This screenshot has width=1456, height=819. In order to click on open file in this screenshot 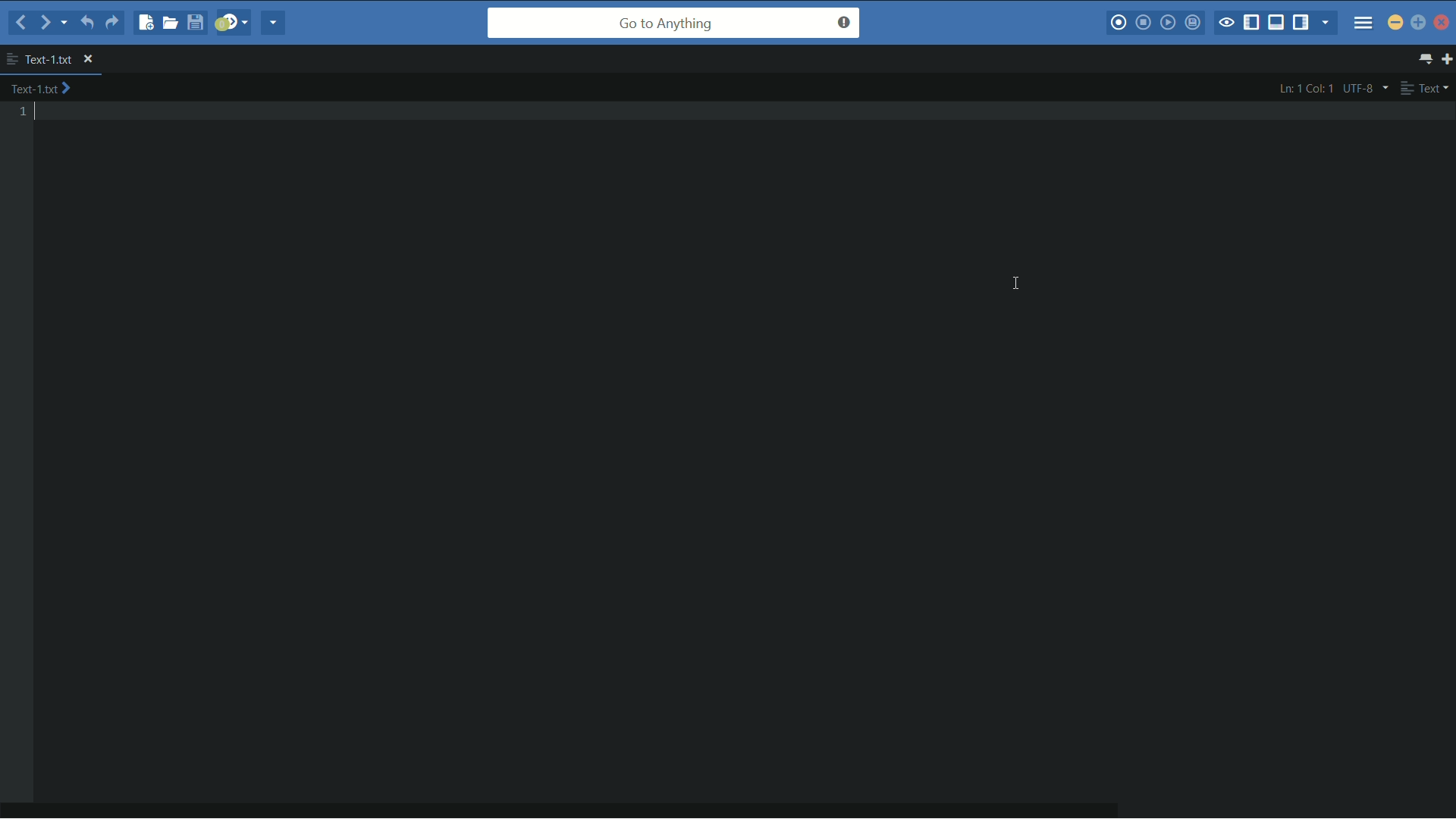, I will do `click(168, 23)`.